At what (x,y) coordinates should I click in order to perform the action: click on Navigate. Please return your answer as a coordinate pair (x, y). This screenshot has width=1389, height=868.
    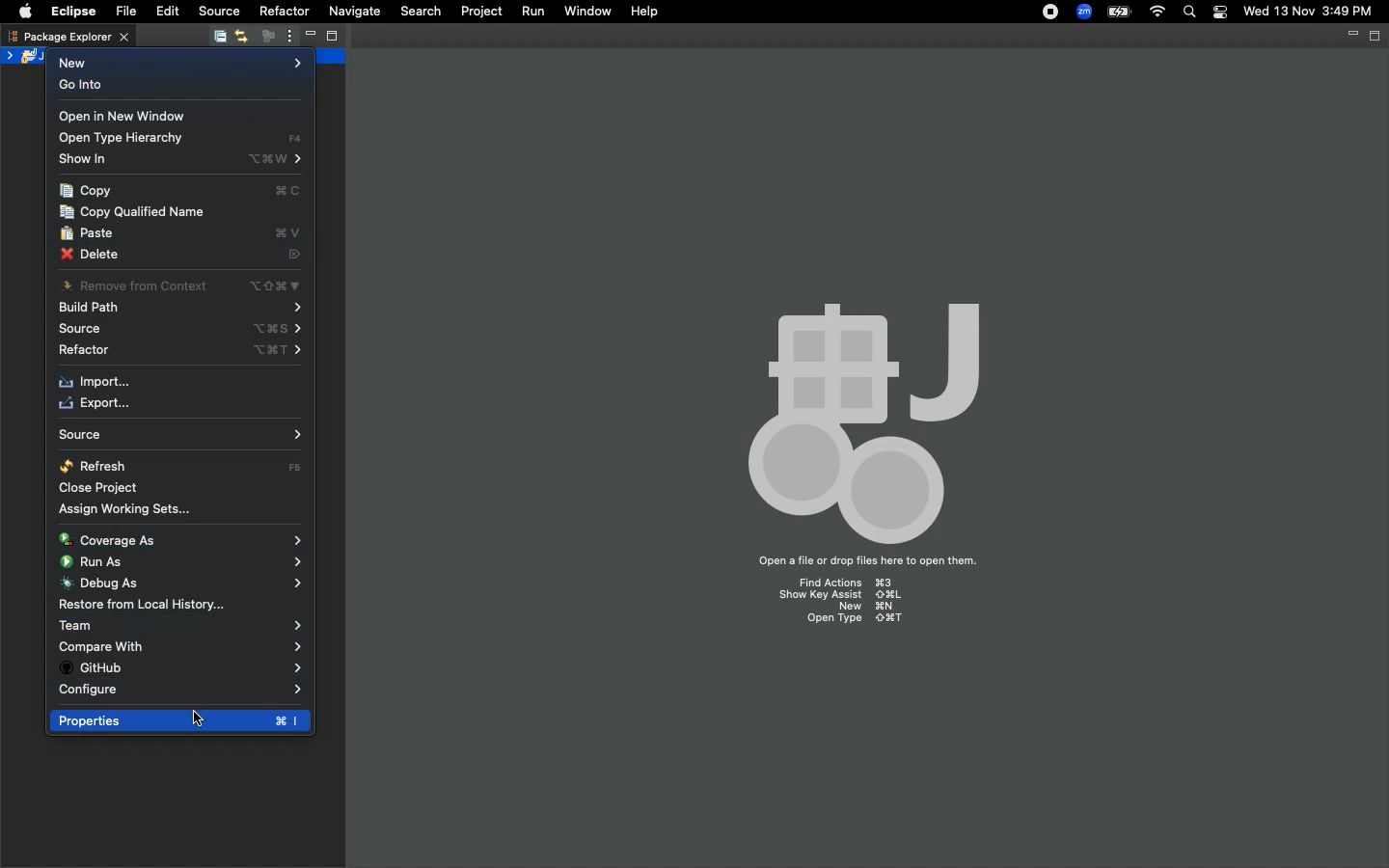
    Looking at the image, I should click on (354, 14).